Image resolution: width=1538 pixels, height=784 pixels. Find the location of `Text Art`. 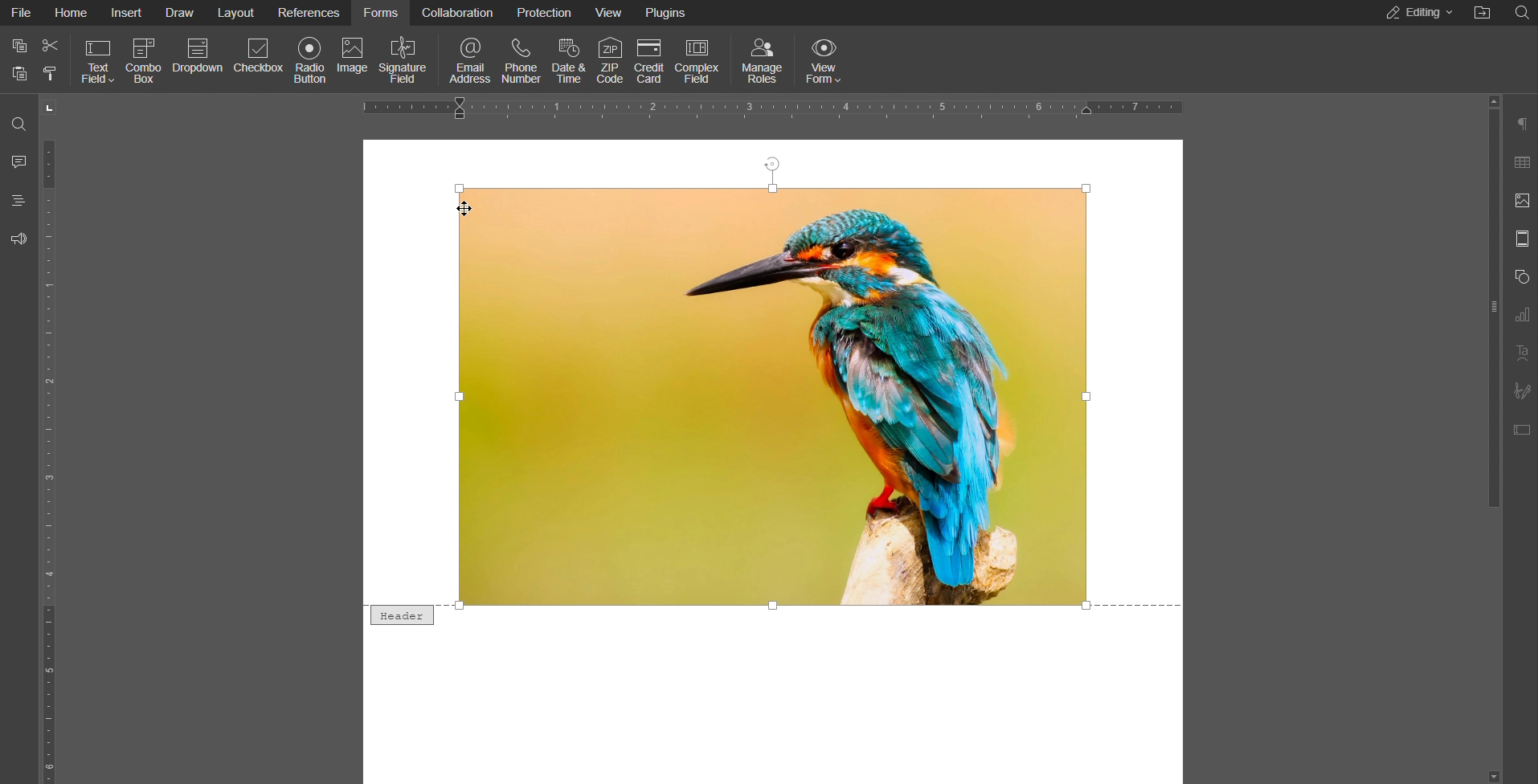

Text Art is located at coordinates (1520, 353).